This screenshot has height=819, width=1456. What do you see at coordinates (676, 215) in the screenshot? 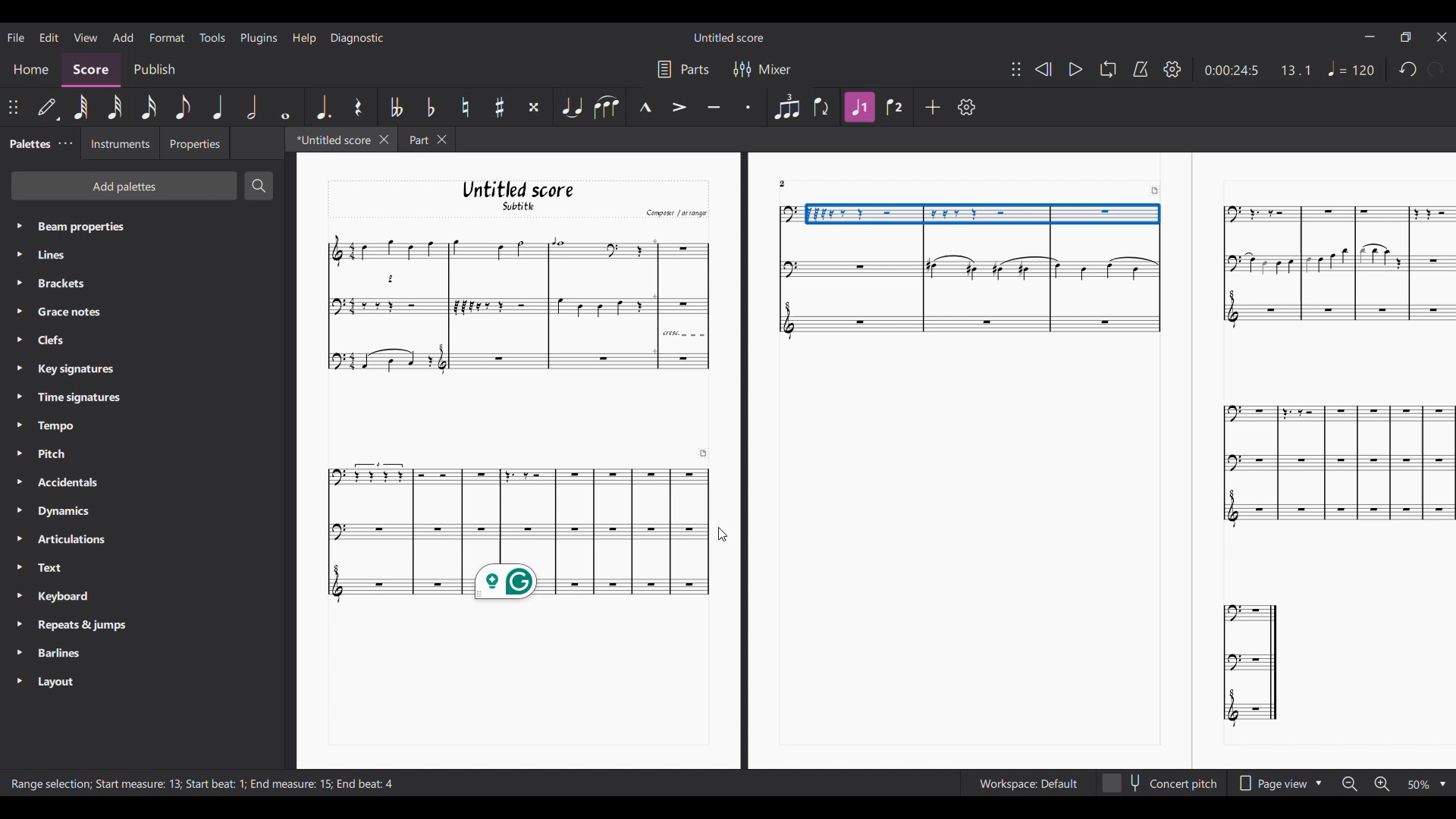
I see `Compone | arcanger` at bounding box center [676, 215].